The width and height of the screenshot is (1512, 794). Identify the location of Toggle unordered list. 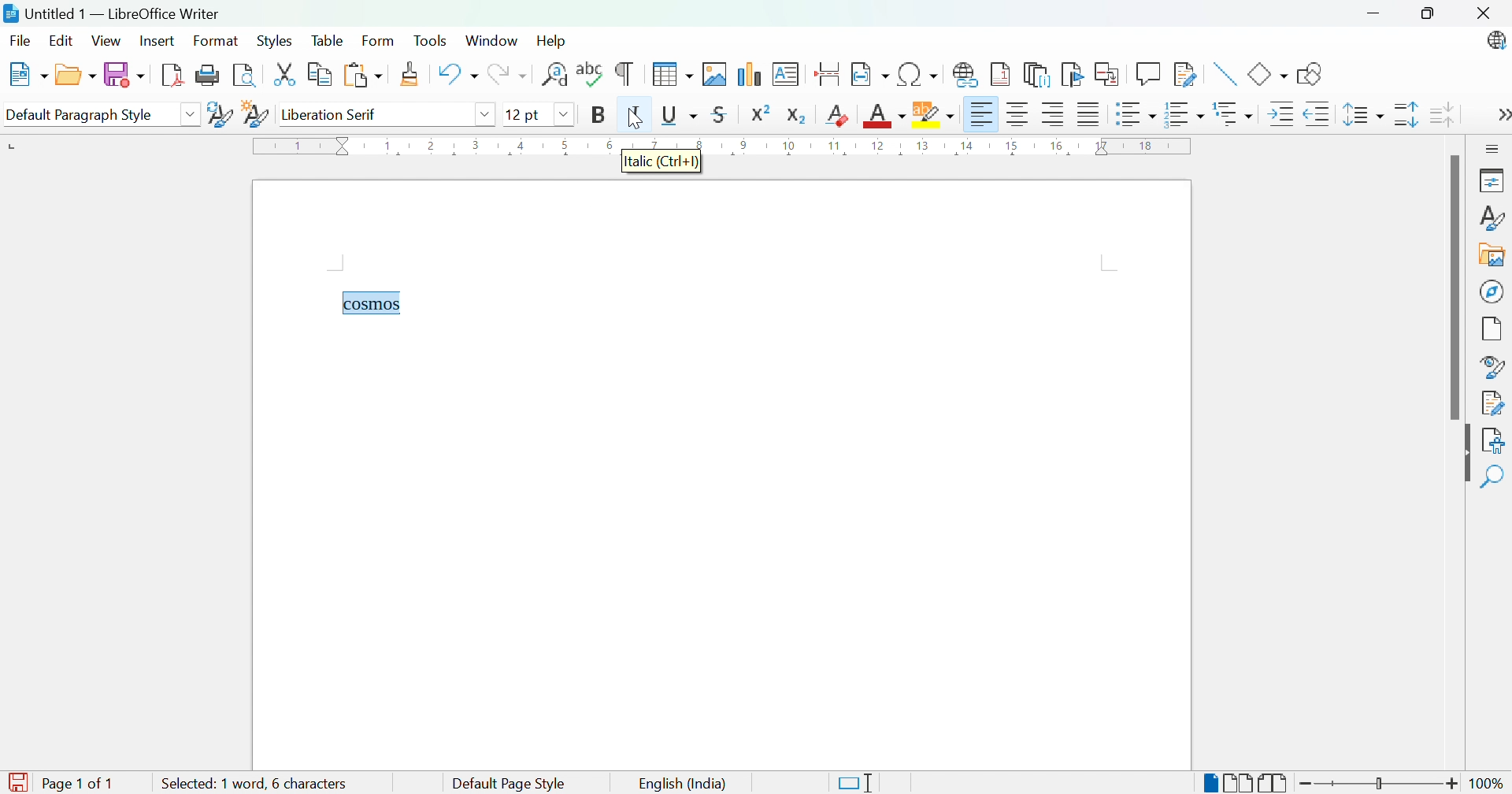
(1135, 116).